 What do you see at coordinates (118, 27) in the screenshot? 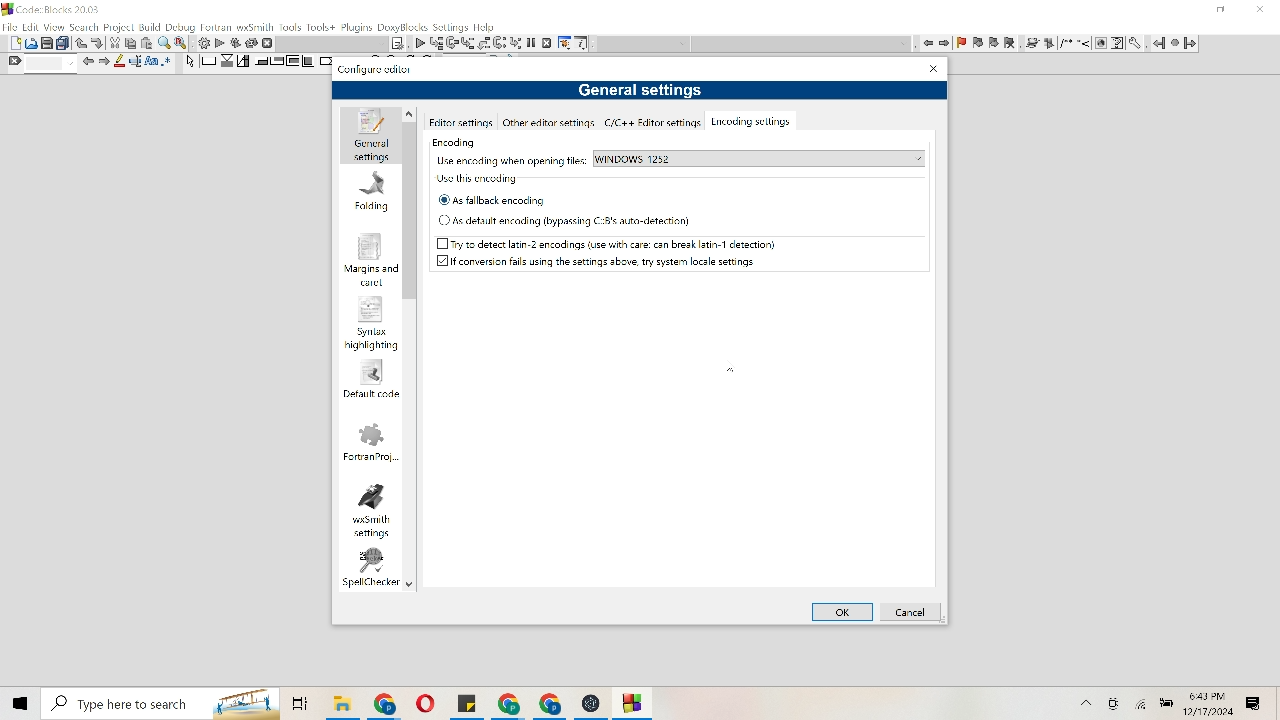
I see `Project` at bounding box center [118, 27].